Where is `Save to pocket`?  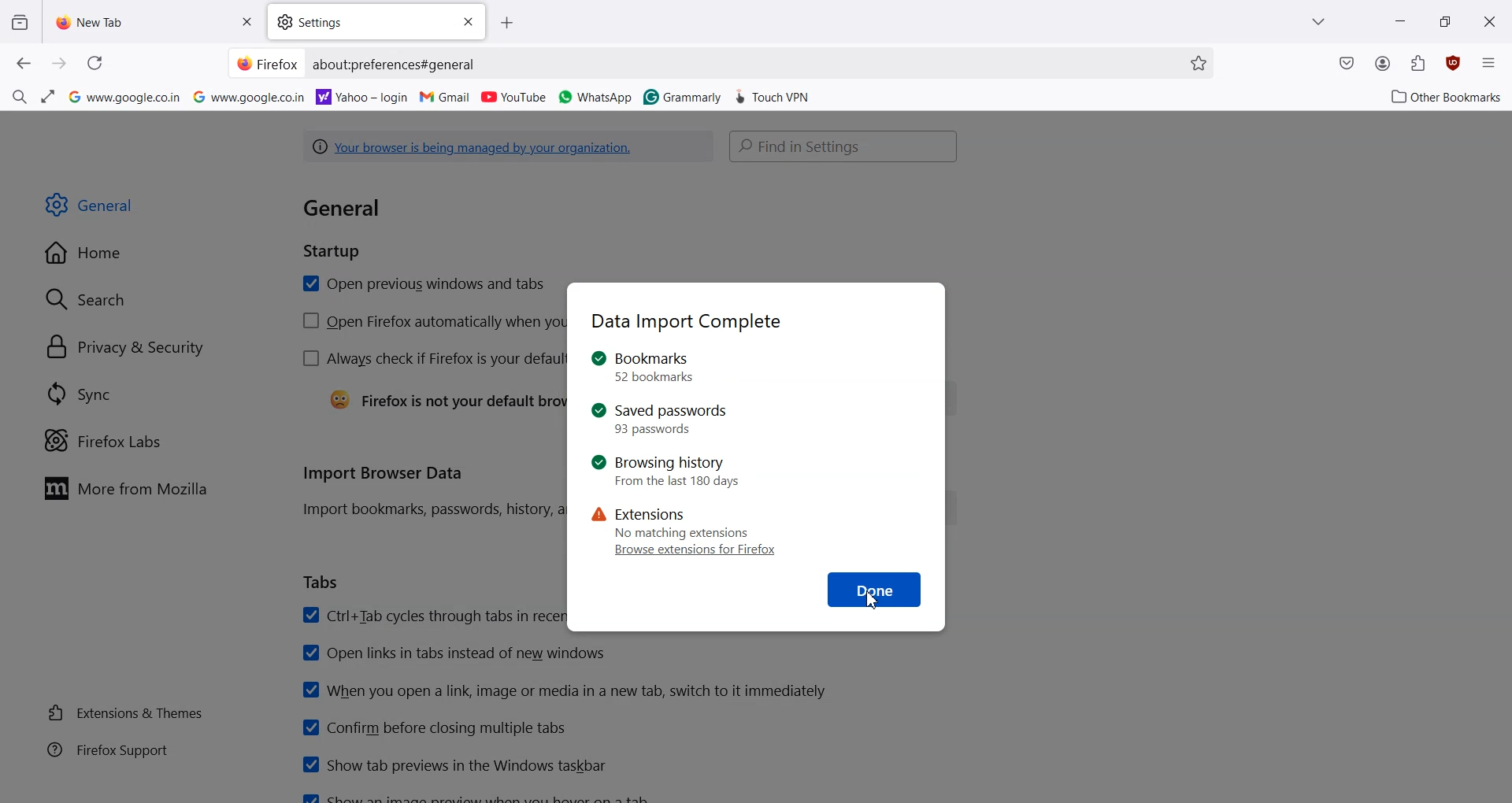 Save to pocket is located at coordinates (1347, 65).